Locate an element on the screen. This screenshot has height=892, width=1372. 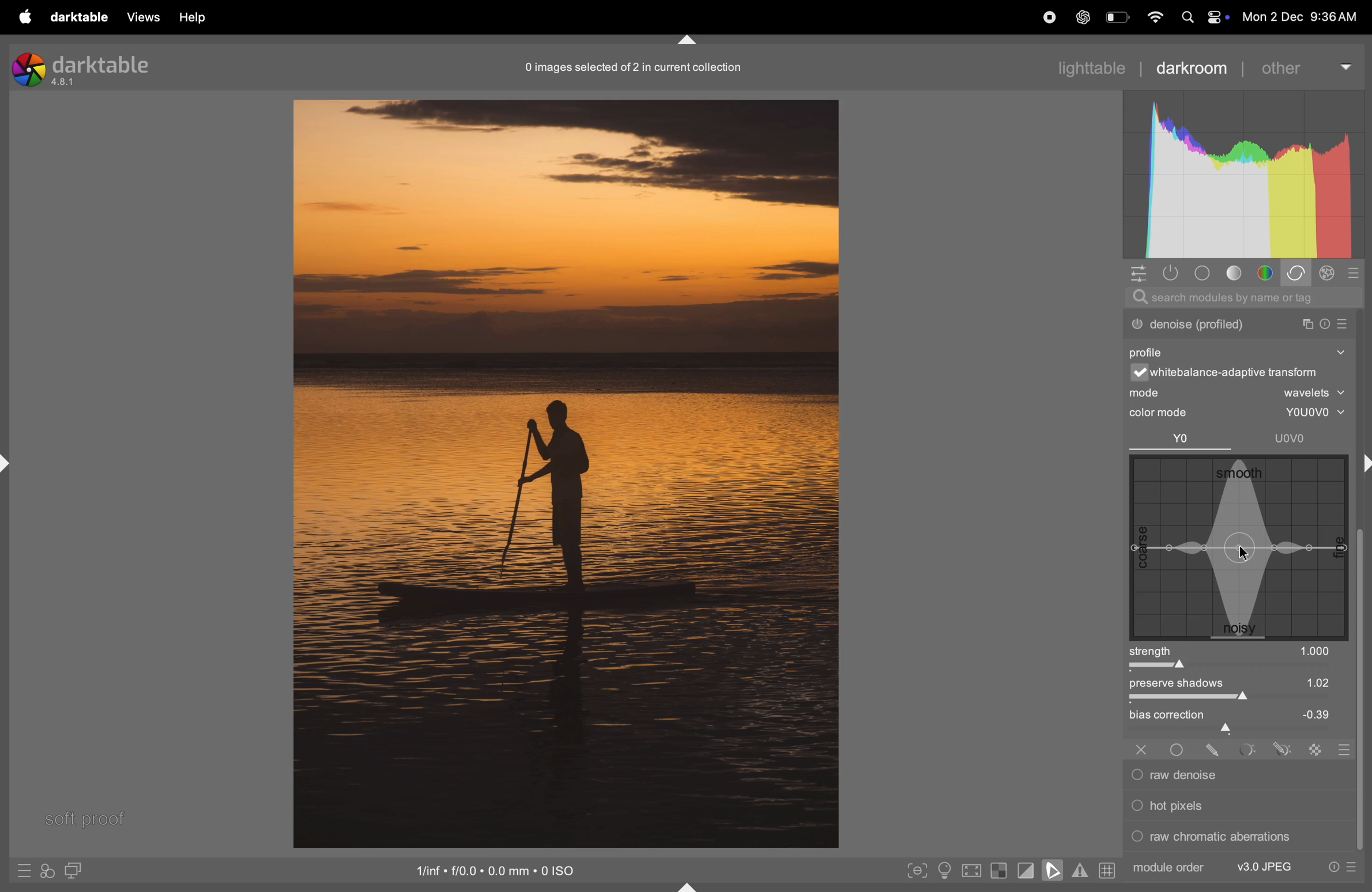
histogram is located at coordinates (1243, 176).